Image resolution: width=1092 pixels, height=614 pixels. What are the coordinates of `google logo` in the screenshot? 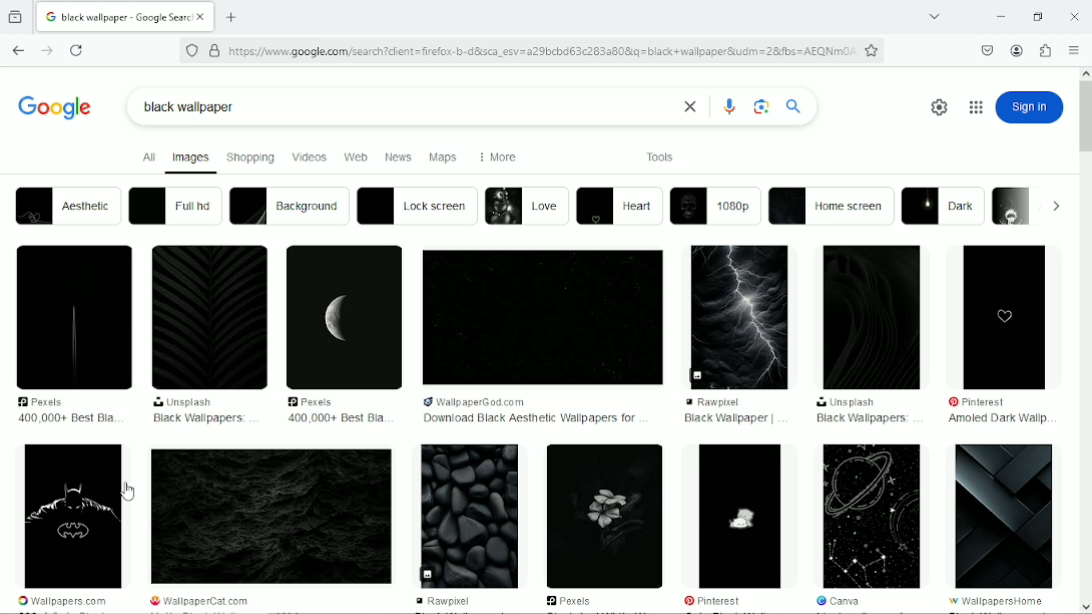 It's located at (50, 17).